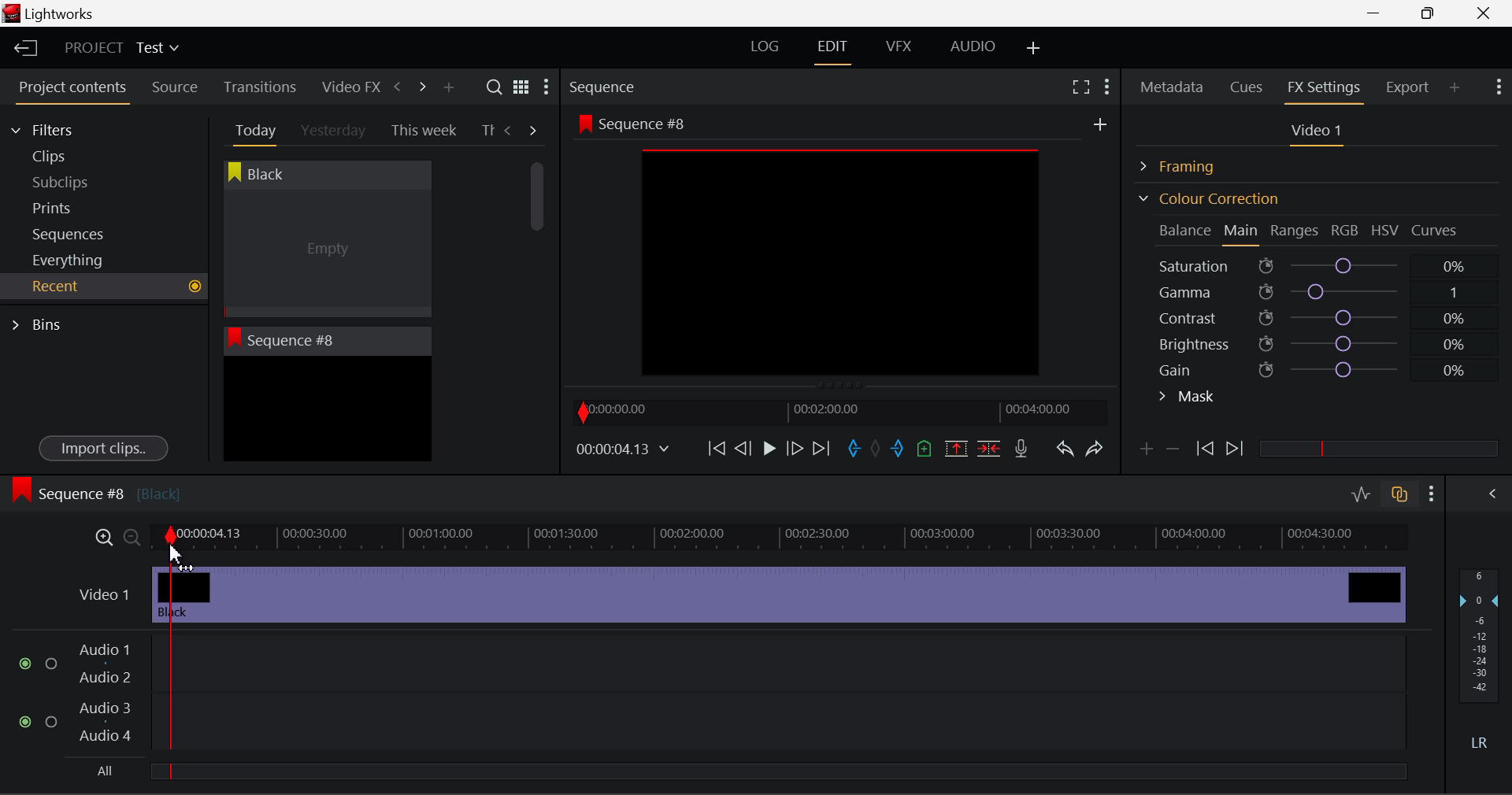  I want to click on HSV, so click(1385, 230).